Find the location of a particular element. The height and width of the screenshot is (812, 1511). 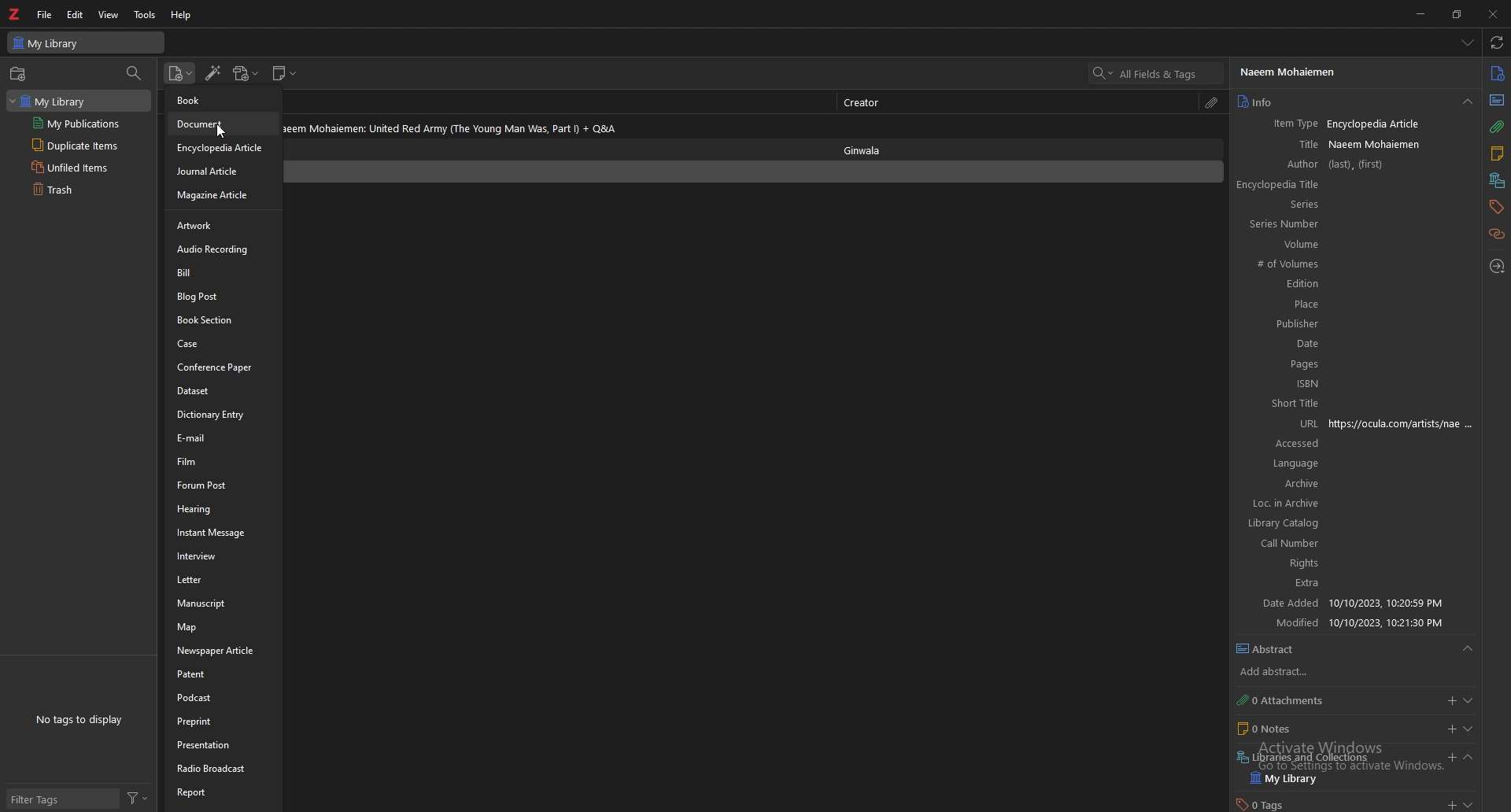

instant message is located at coordinates (222, 532).